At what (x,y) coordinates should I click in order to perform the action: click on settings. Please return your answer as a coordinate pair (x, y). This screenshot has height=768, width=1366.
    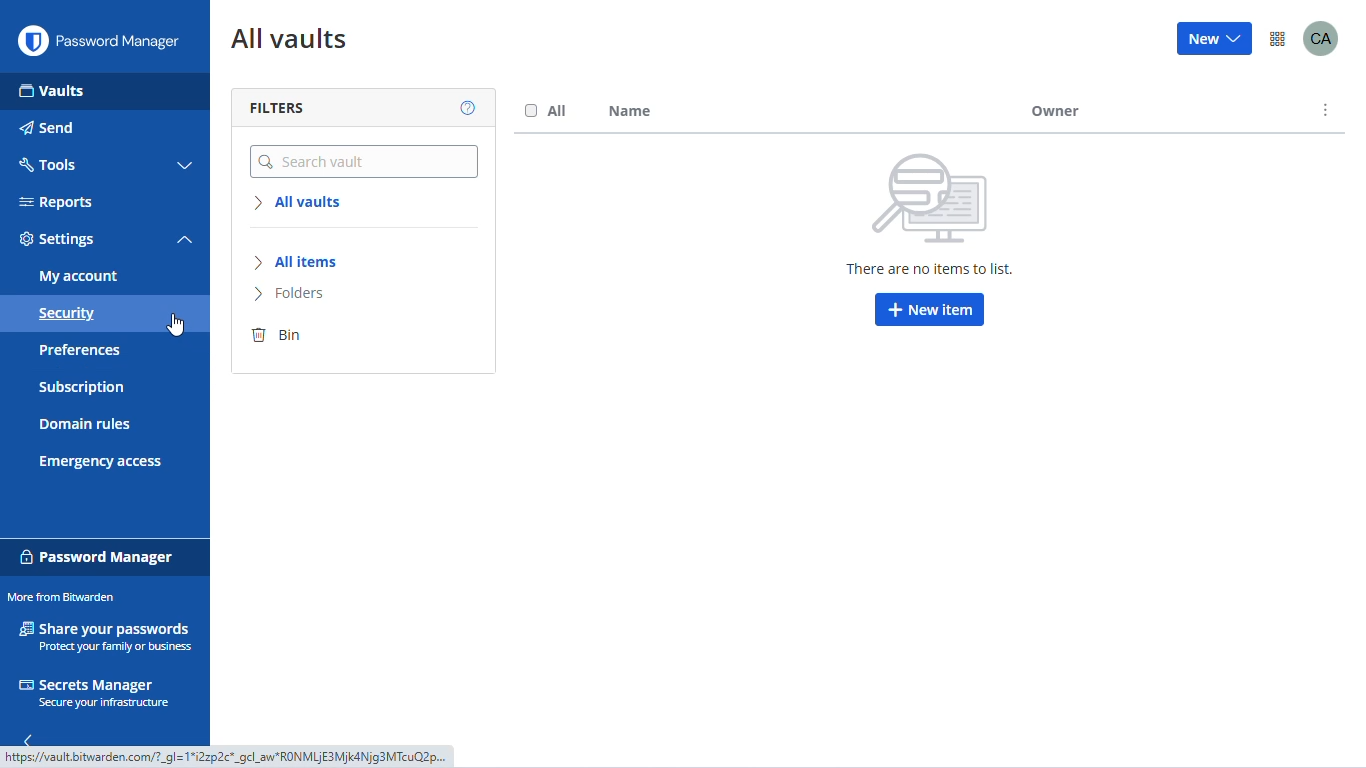
    Looking at the image, I should click on (58, 240).